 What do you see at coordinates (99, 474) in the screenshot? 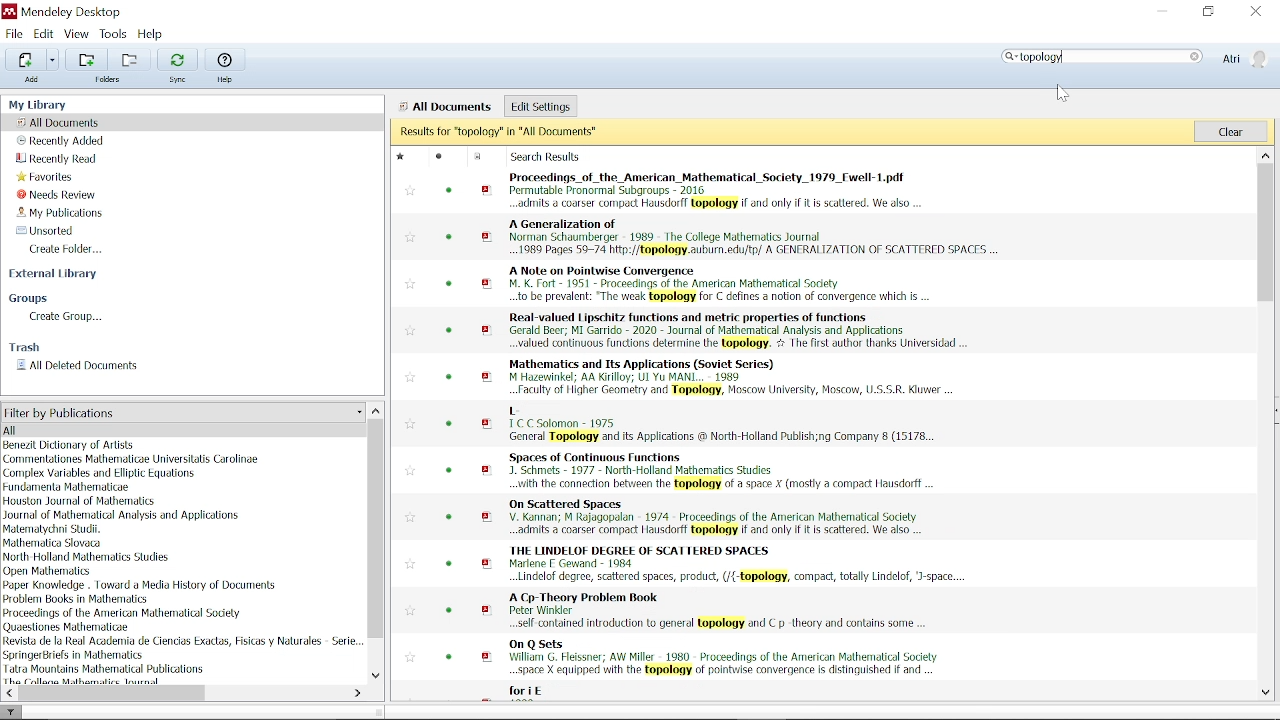
I see `author` at bounding box center [99, 474].